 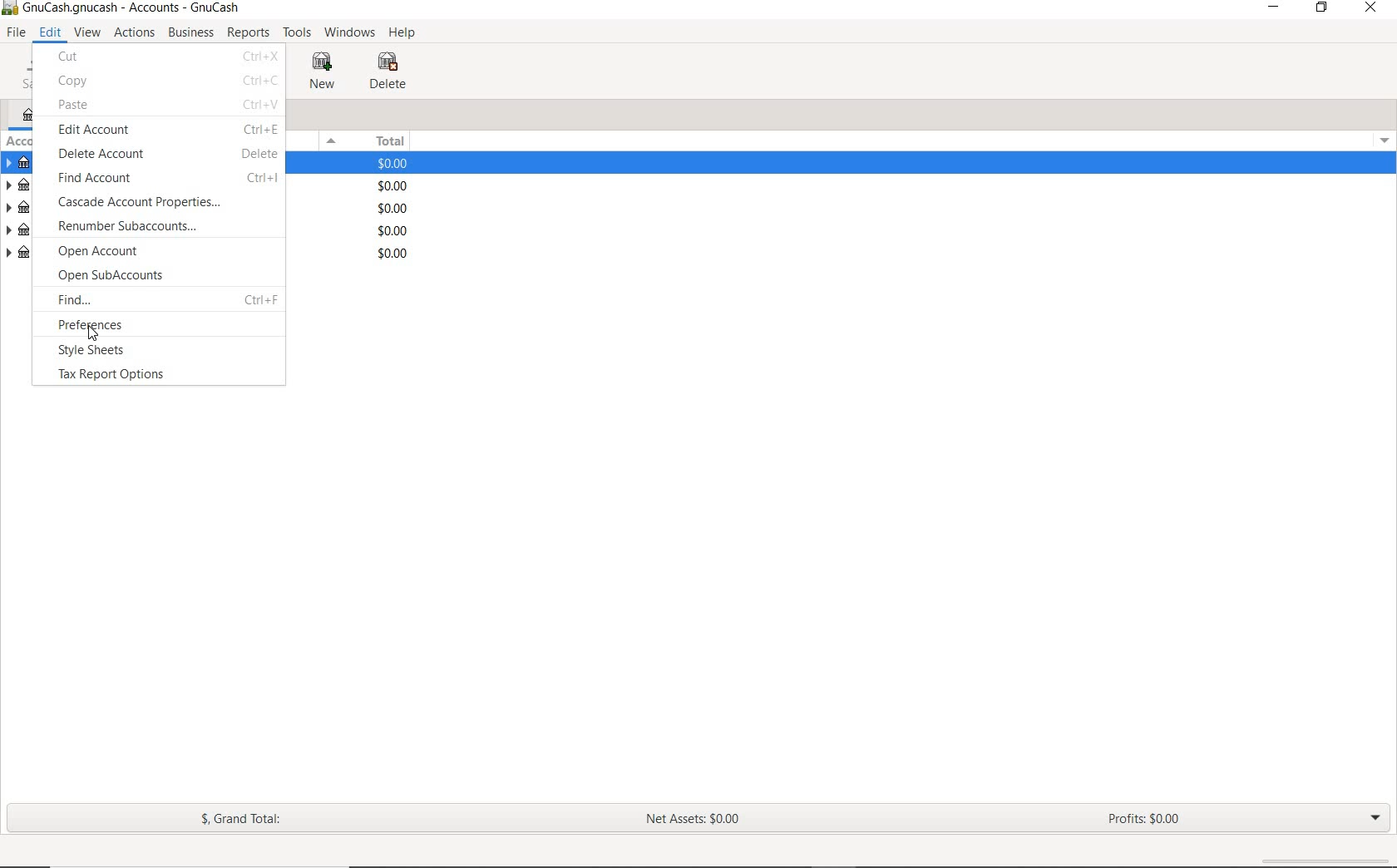 I want to click on NET ASSETS, so click(x=694, y=819).